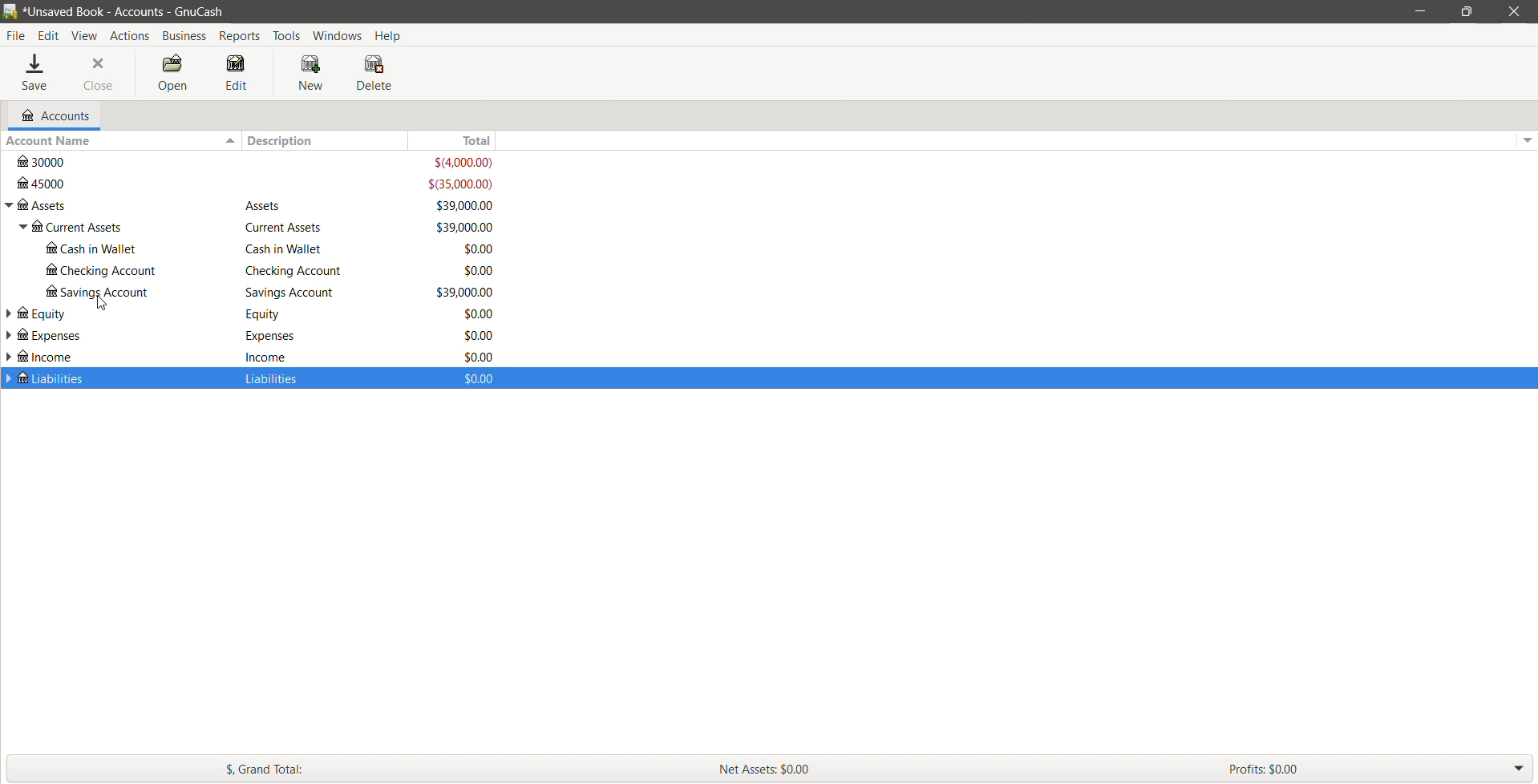 This screenshot has height=784, width=1538. Describe the element at coordinates (185, 36) in the screenshot. I see `Business` at that location.